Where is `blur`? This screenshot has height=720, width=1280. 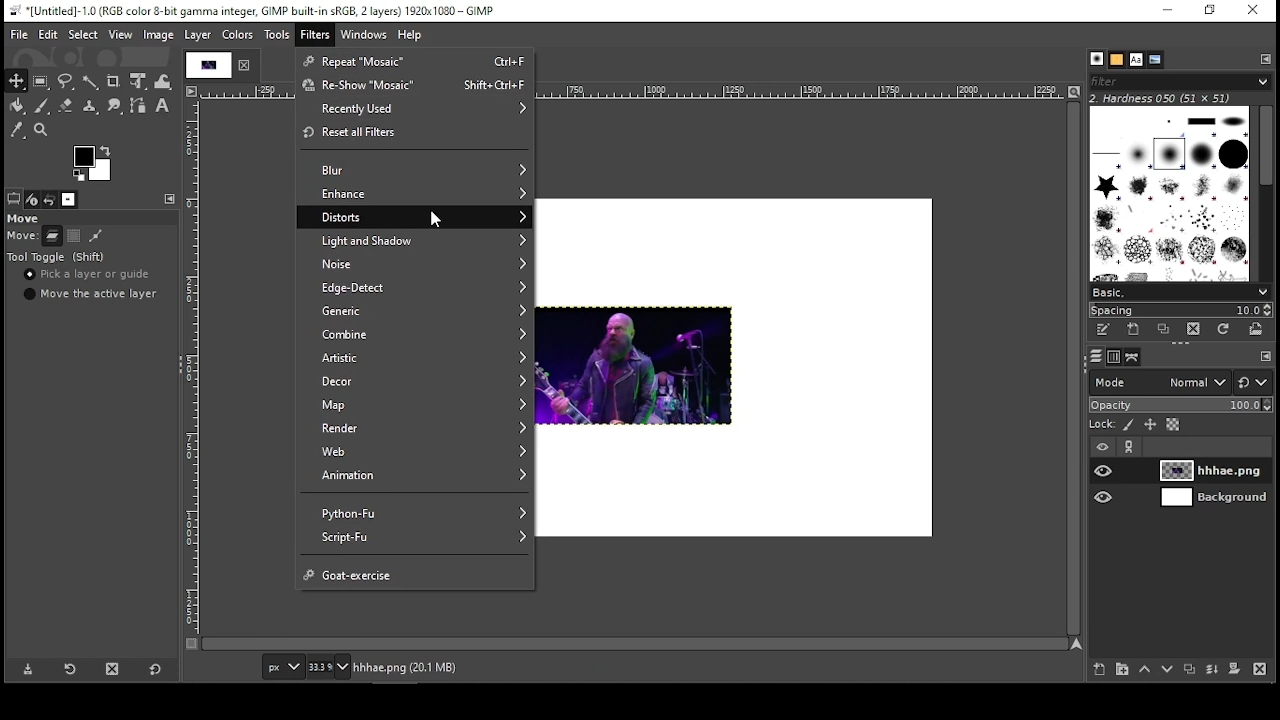
blur is located at coordinates (417, 170).